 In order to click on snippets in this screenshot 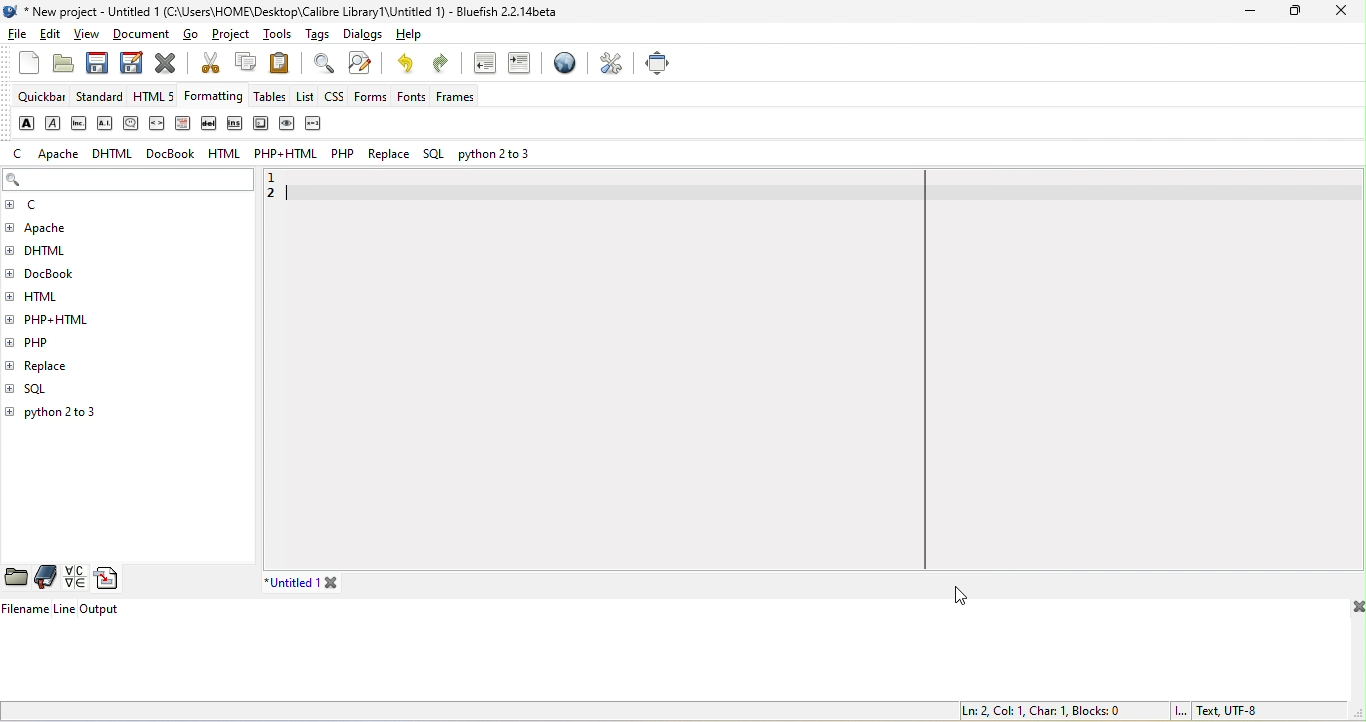, I will do `click(111, 579)`.